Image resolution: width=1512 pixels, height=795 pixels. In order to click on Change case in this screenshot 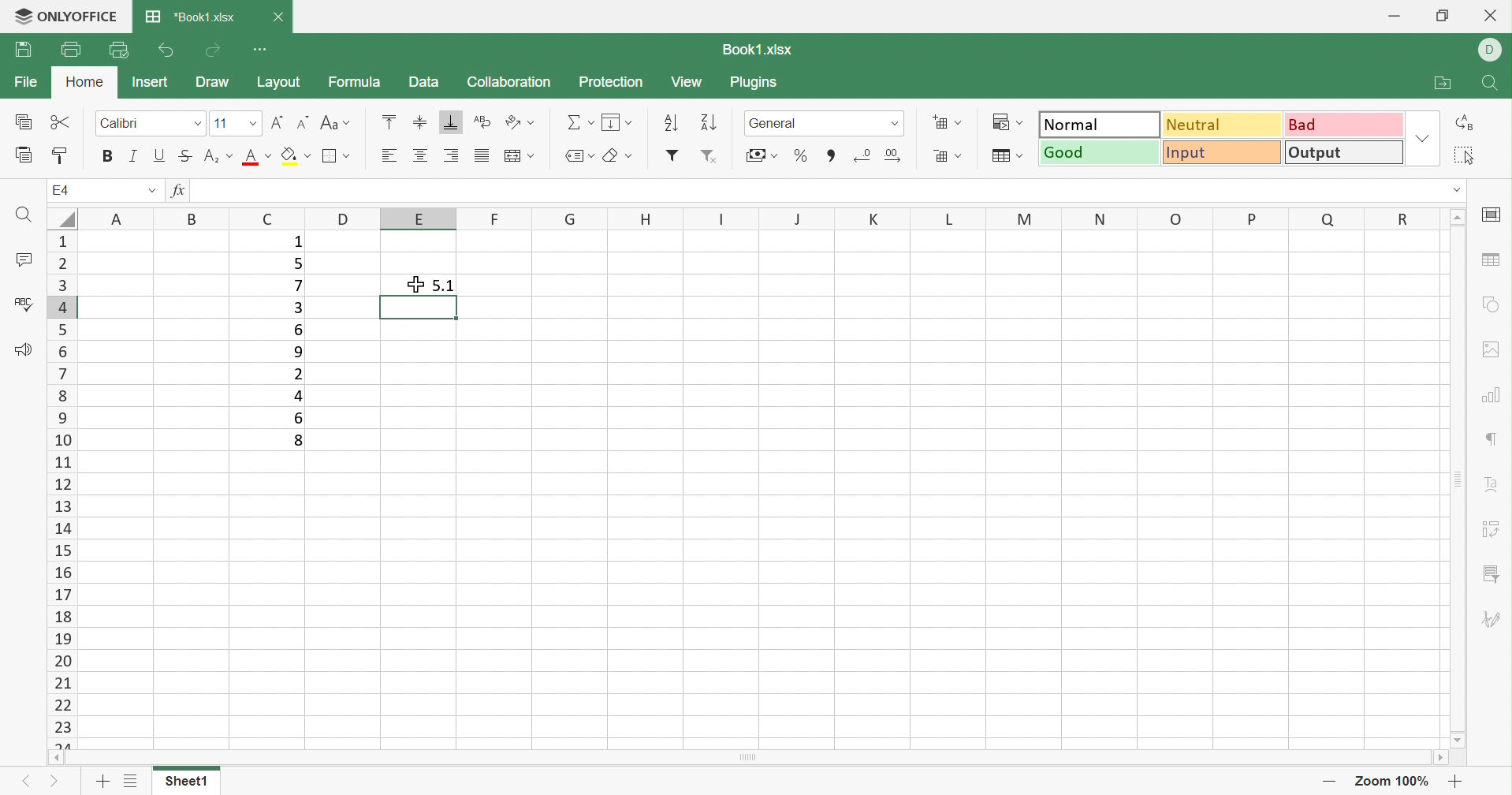, I will do `click(337, 125)`.